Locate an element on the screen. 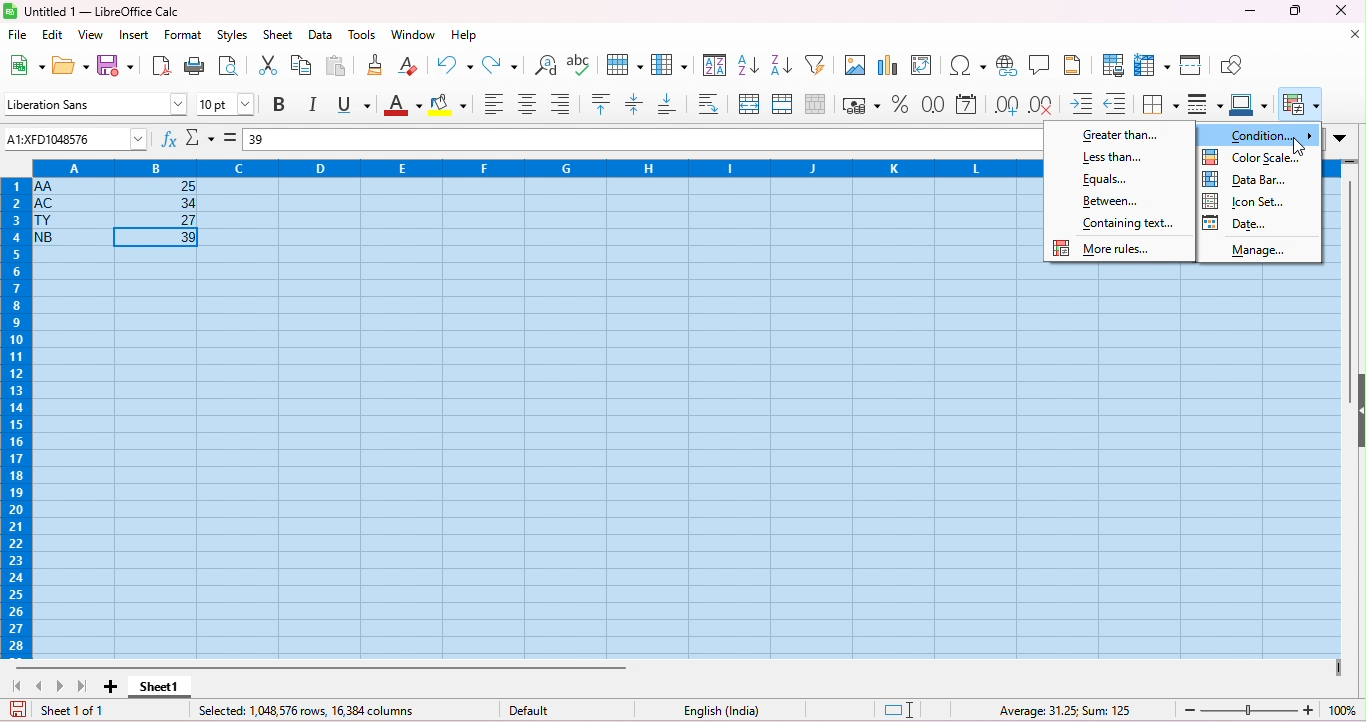 Image resolution: width=1366 pixels, height=722 pixels. align bottom is located at coordinates (560, 103).